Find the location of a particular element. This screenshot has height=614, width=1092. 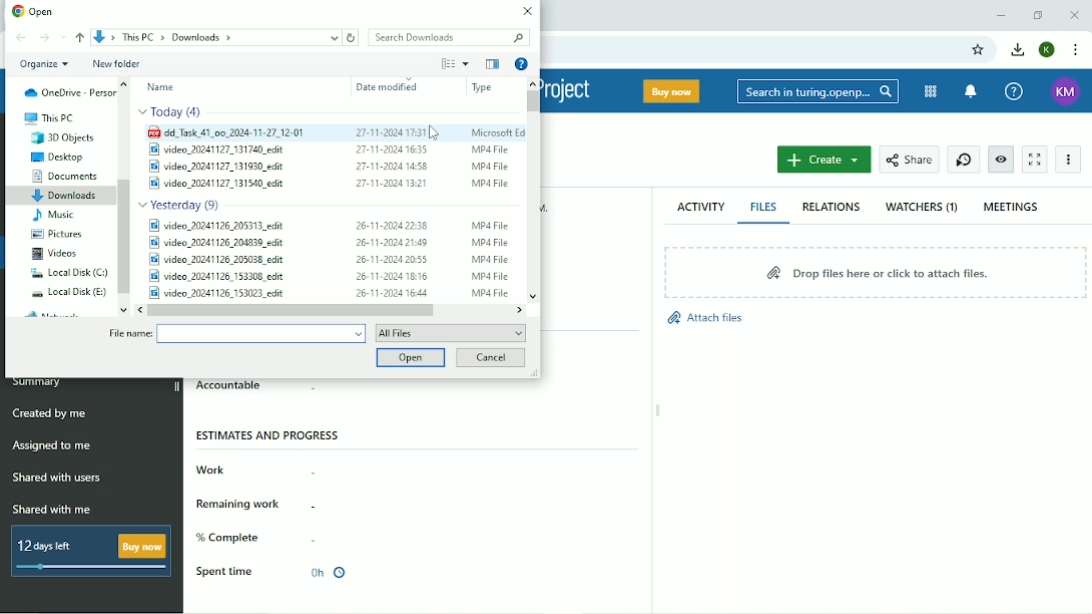

Estimates and progress is located at coordinates (270, 435).